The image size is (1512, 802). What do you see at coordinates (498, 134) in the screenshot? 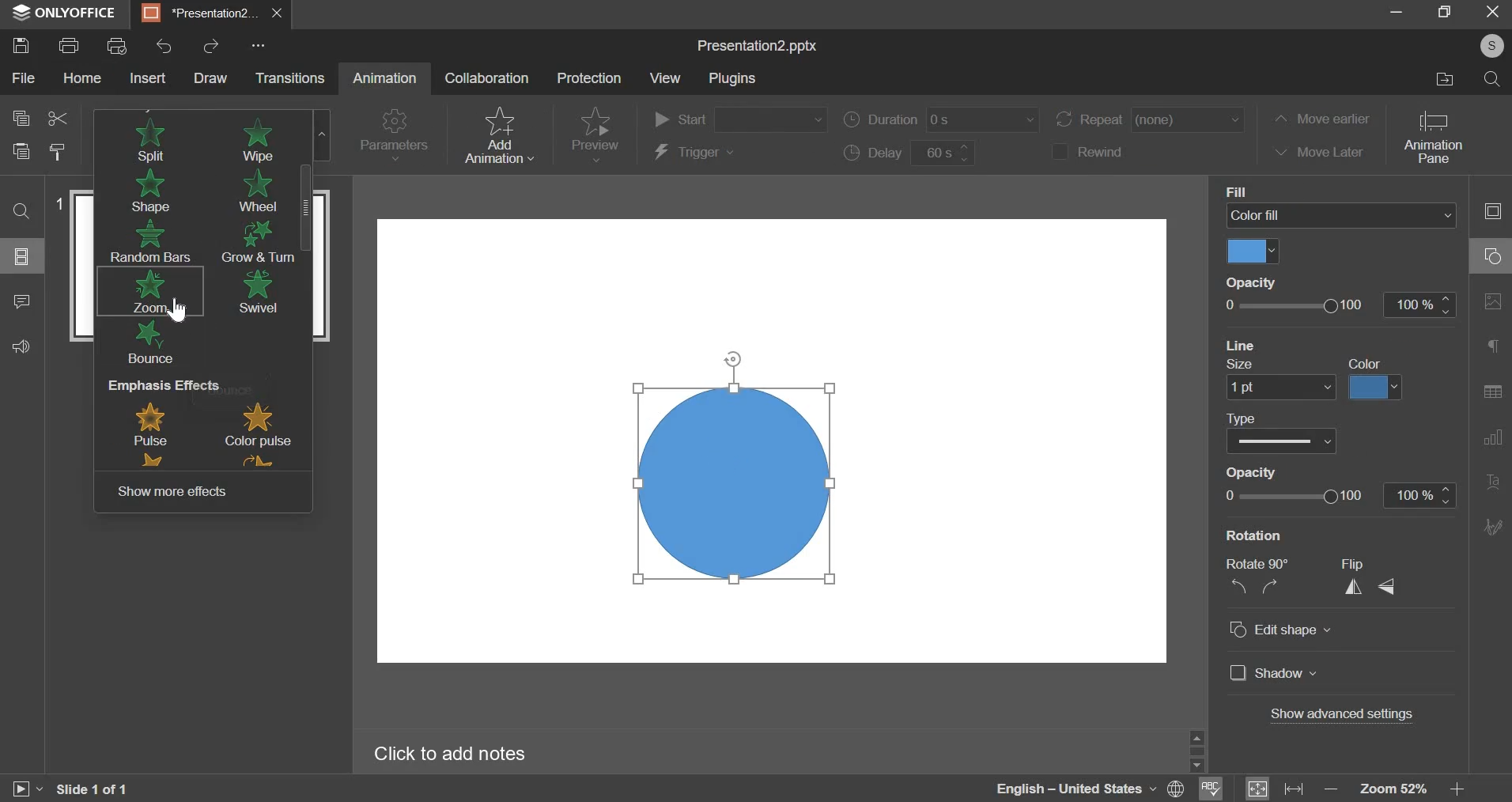
I see `add animation` at bounding box center [498, 134].